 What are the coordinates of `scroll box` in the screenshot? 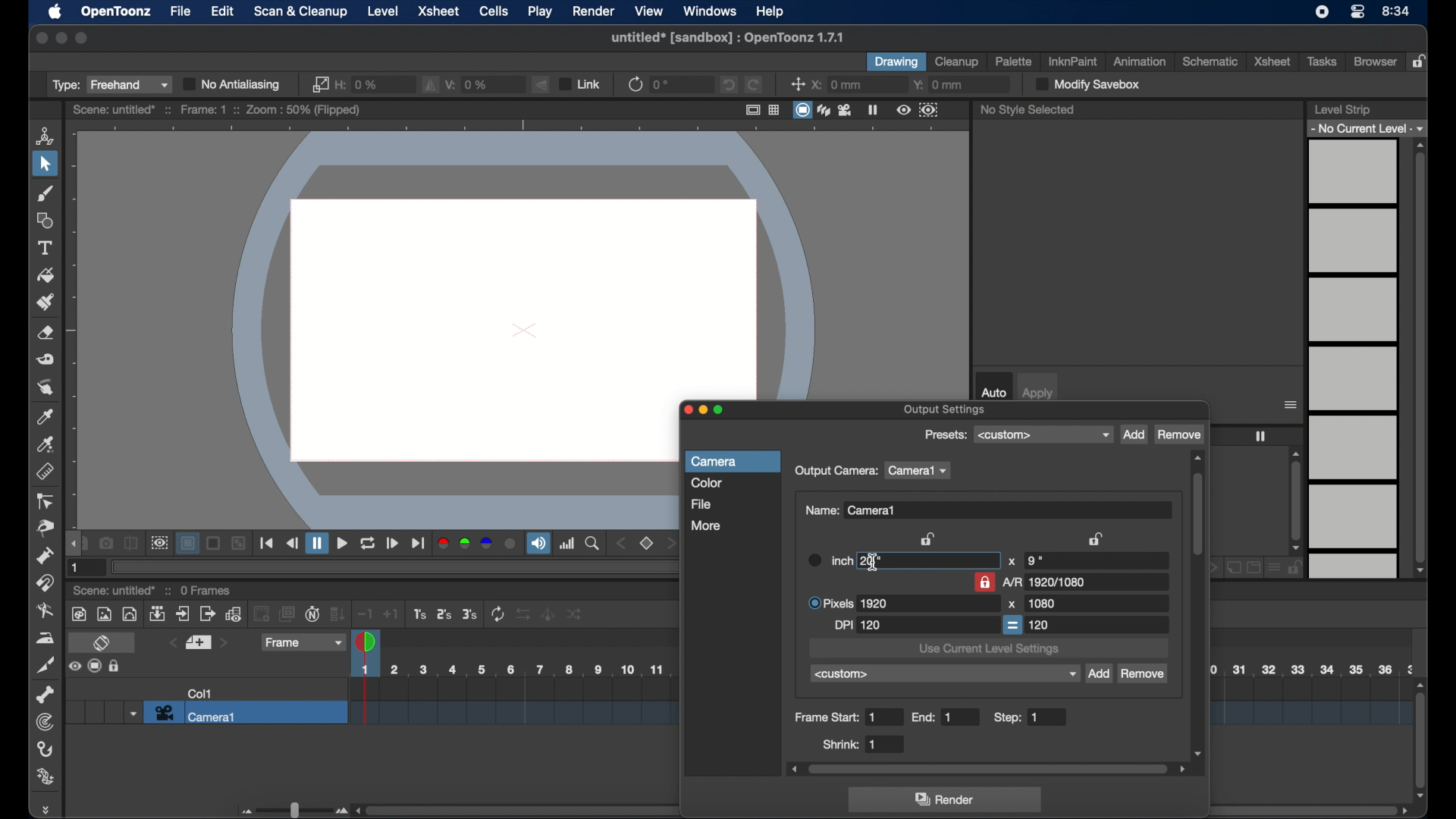 It's located at (1421, 739).